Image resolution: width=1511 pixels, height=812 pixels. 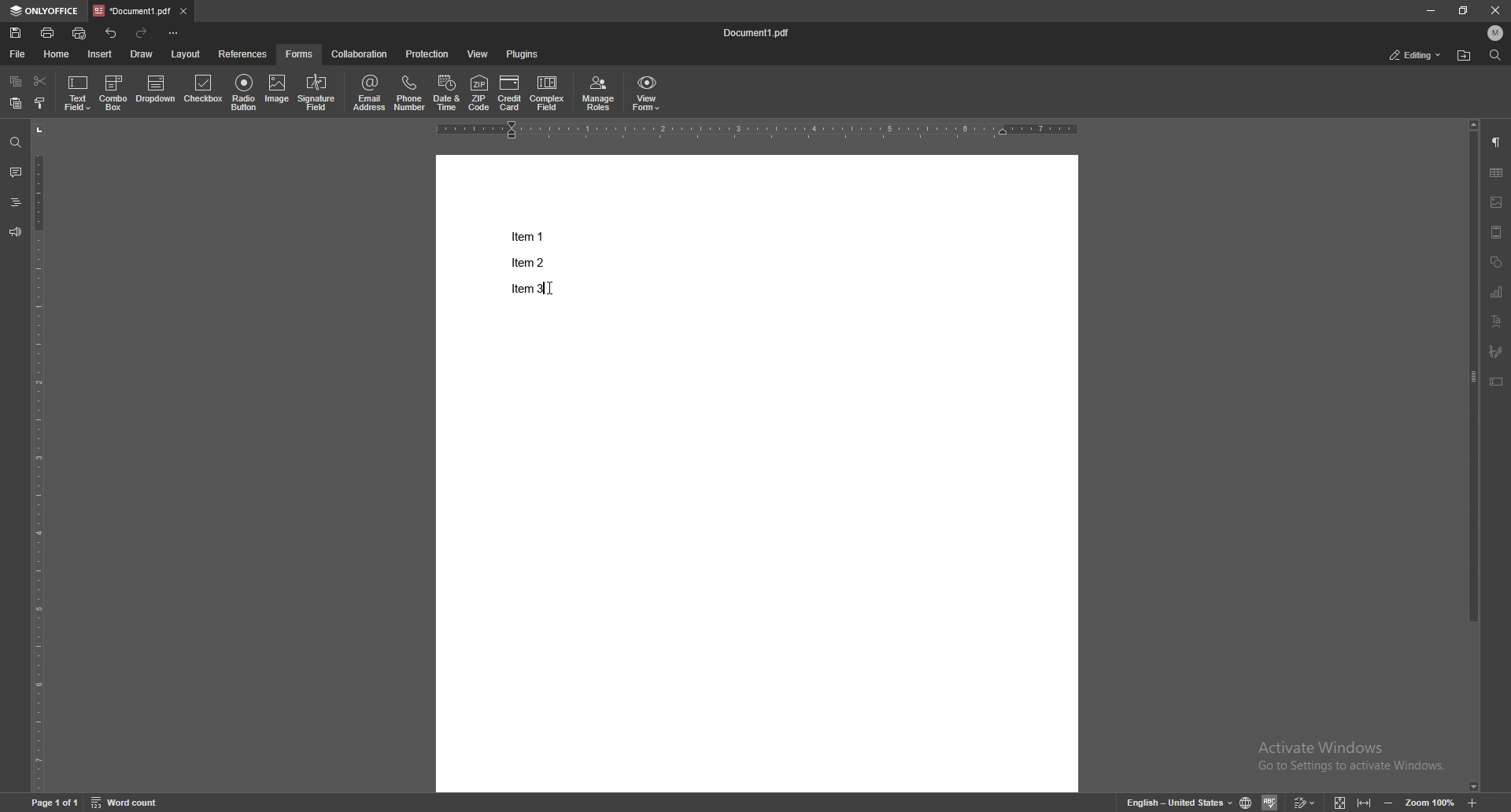 What do you see at coordinates (563, 293) in the screenshot?
I see `text cursor` at bounding box center [563, 293].